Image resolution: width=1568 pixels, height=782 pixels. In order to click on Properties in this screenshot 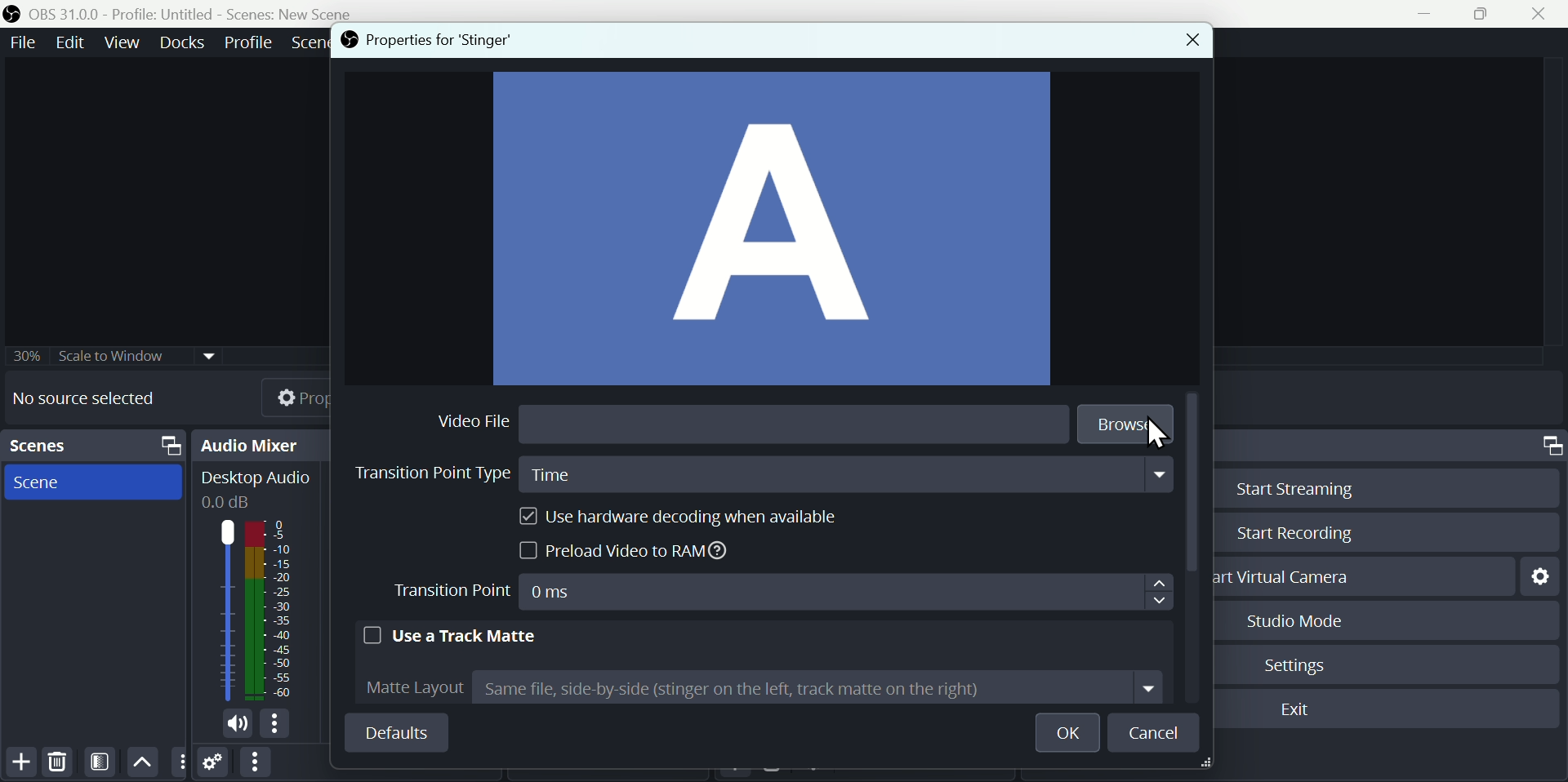, I will do `click(282, 395)`.